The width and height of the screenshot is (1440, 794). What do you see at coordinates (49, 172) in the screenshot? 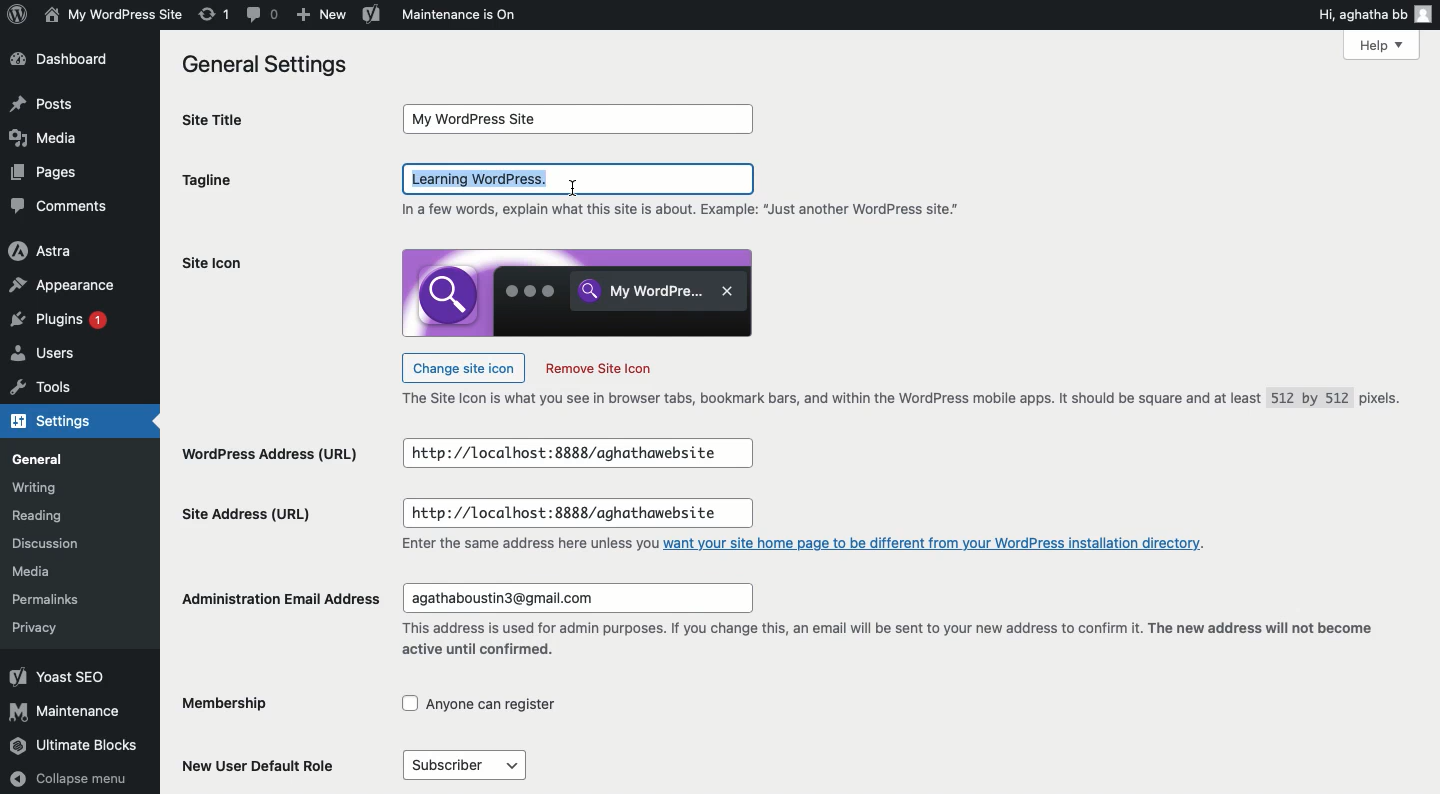
I see `Pages` at bounding box center [49, 172].